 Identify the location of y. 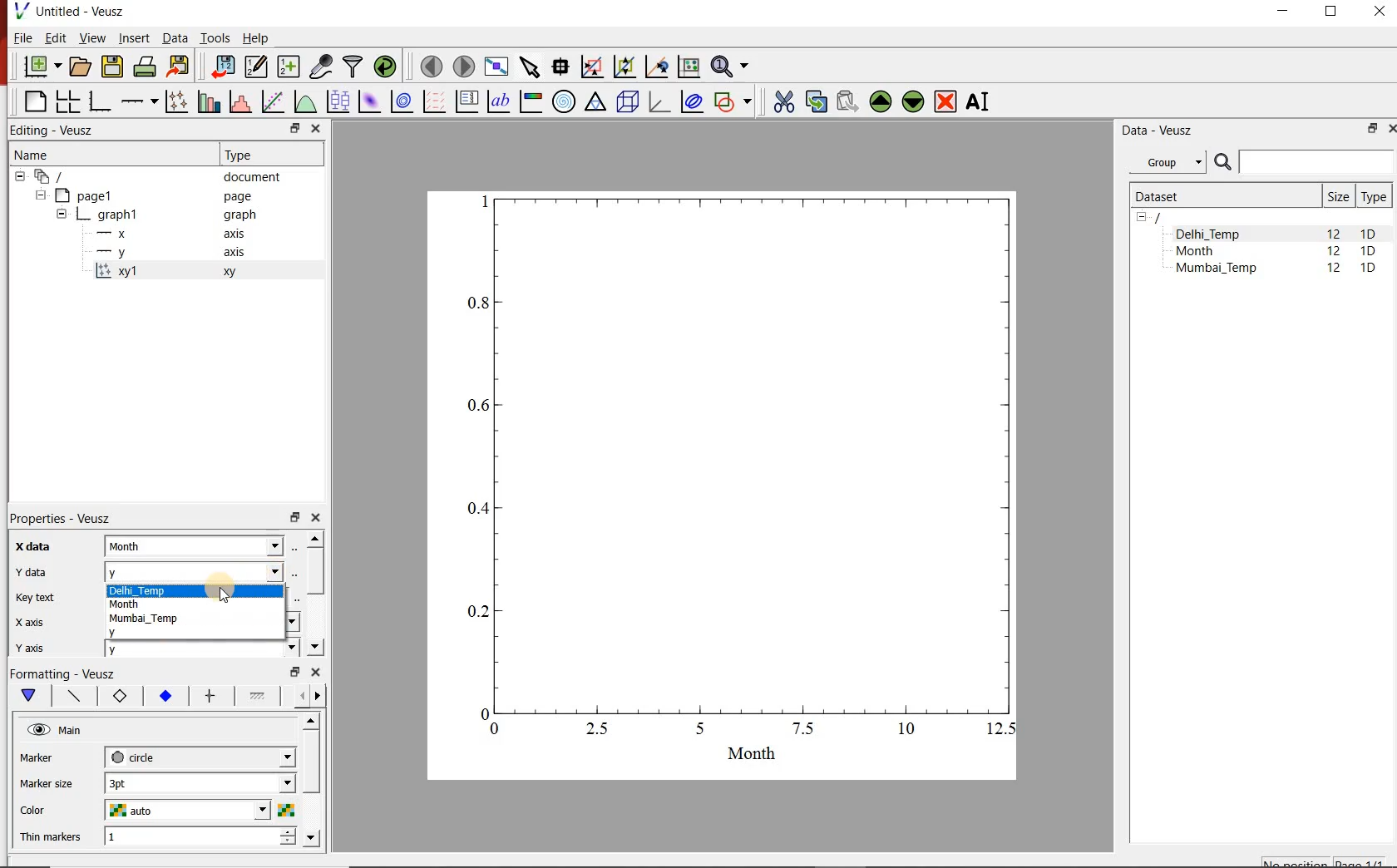
(203, 570).